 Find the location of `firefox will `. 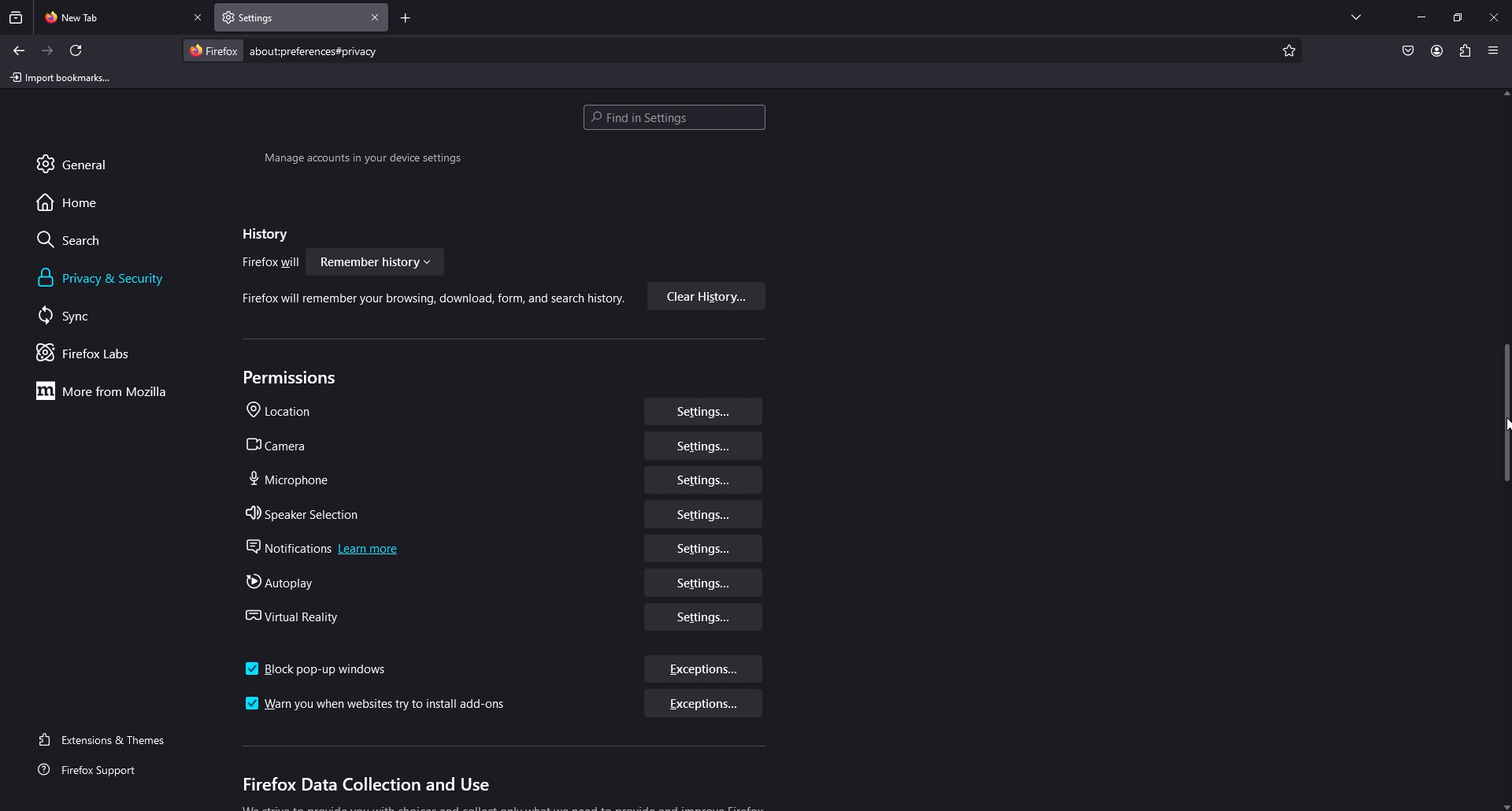

firefox will  is located at coordinates (272, 264).